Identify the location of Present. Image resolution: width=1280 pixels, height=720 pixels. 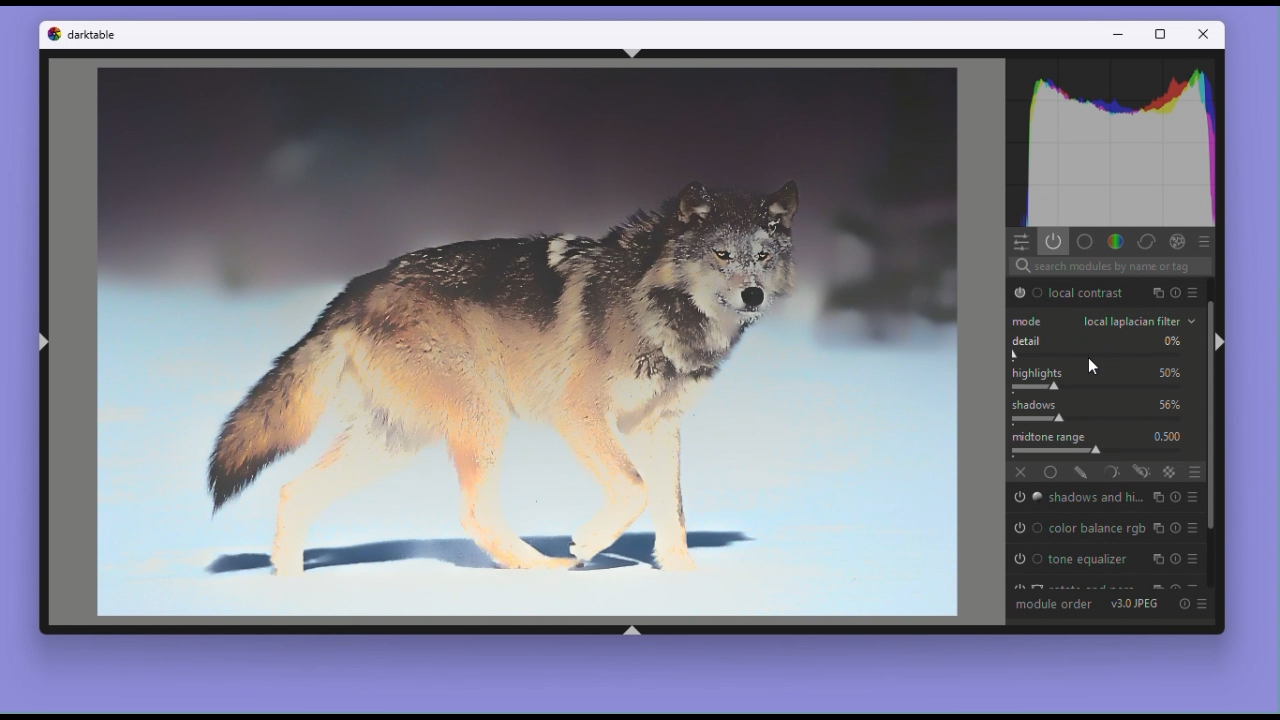
(1198, 560).